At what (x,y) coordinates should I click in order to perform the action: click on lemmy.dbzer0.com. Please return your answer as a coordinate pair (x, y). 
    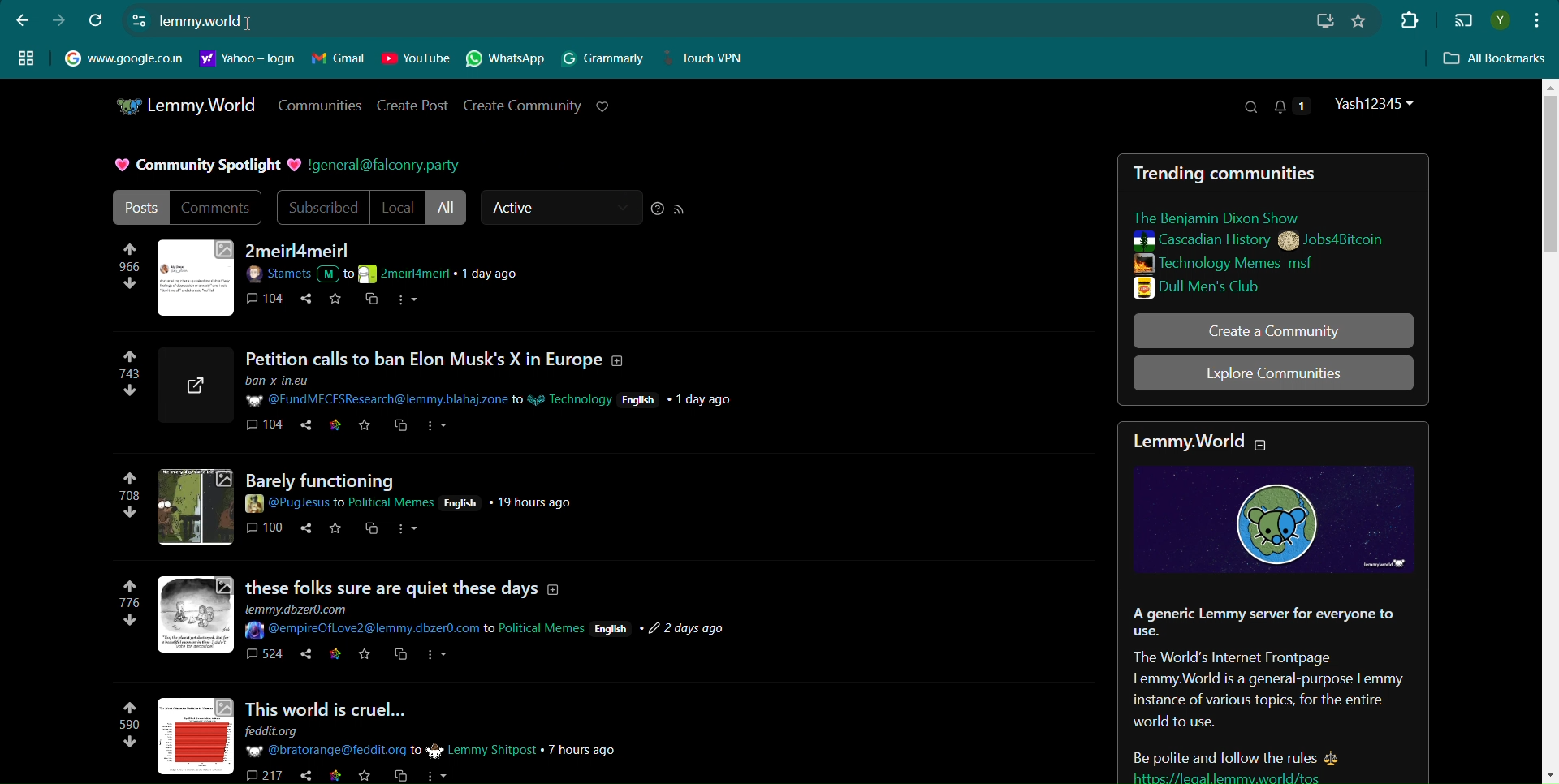
    Looking at the image, I should click on (304, 608).